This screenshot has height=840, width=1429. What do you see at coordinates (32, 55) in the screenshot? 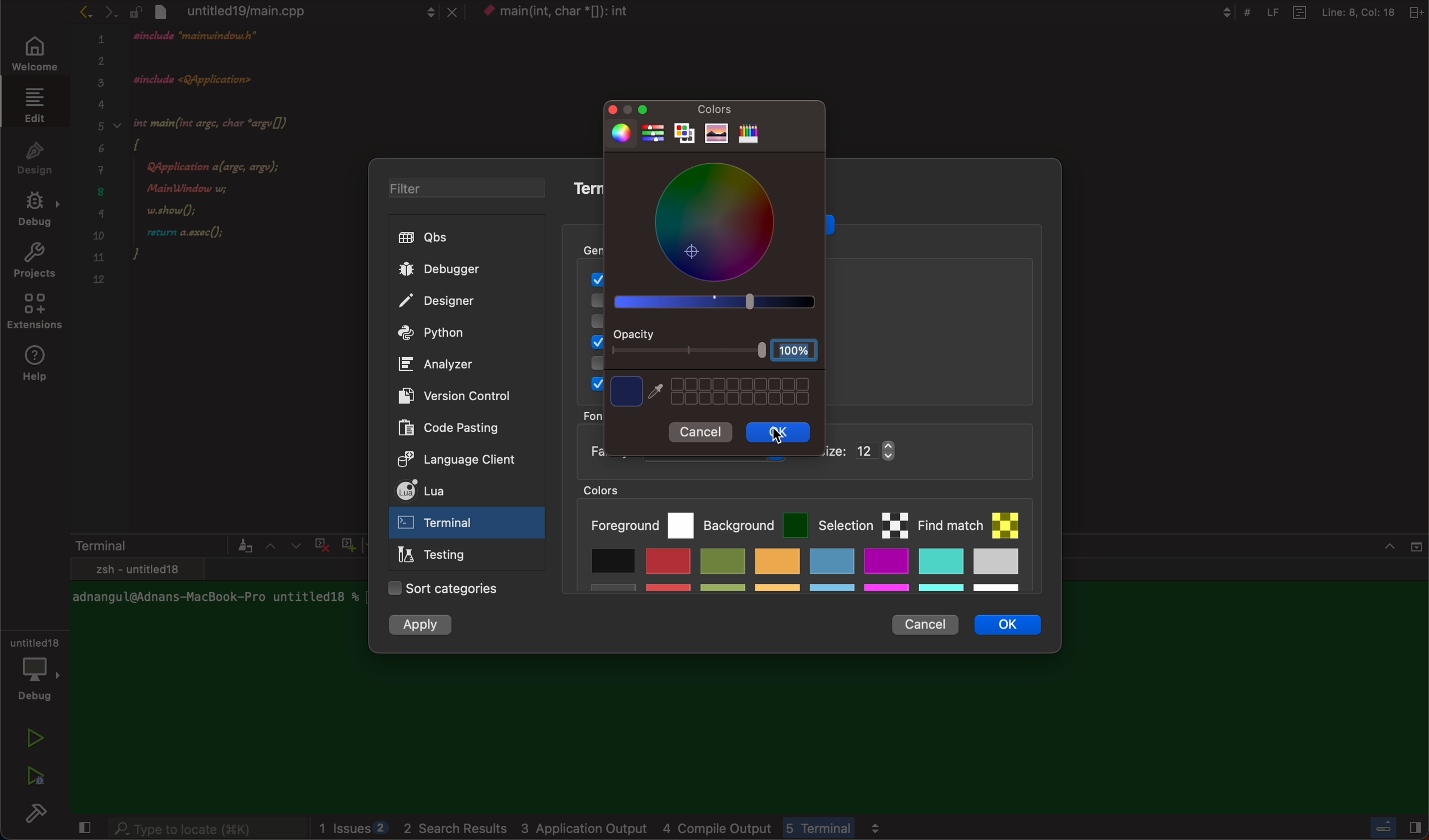
I see `welcome` at bounding box center [32, 55].